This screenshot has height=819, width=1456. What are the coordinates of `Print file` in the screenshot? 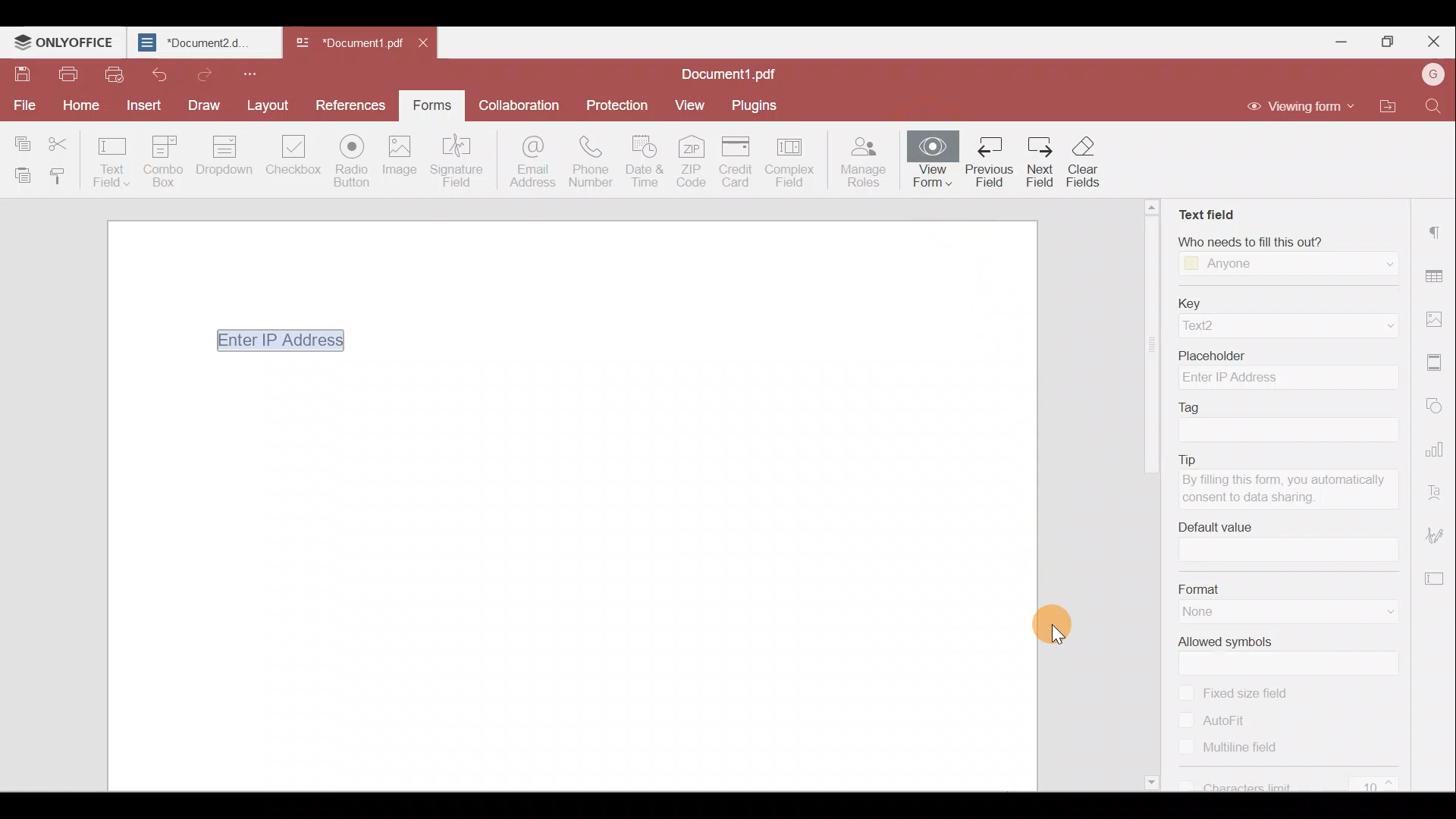 It's located at (67, 74).